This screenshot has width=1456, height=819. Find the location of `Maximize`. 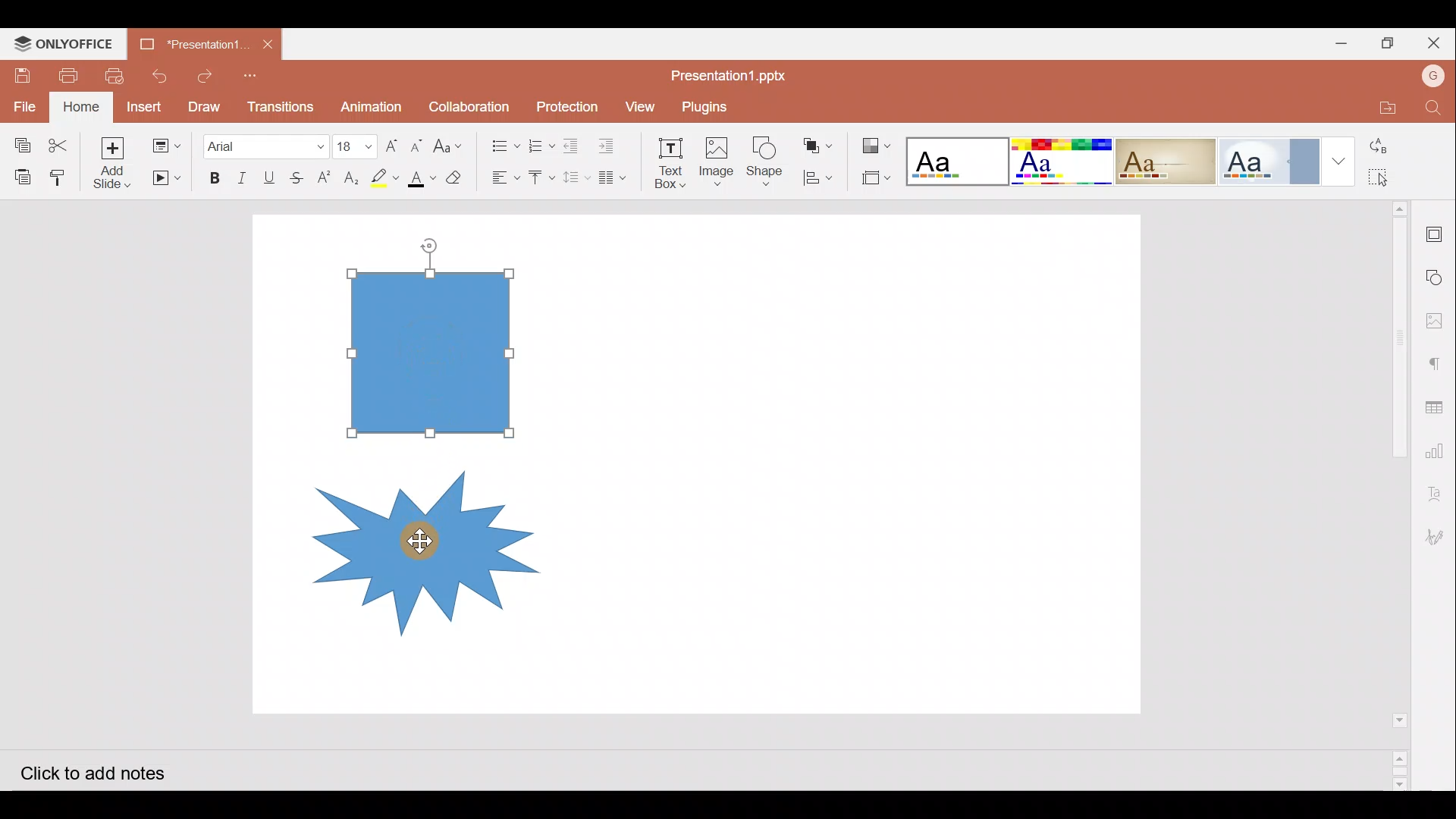

Maximize is located at coordinates (1391, 42).